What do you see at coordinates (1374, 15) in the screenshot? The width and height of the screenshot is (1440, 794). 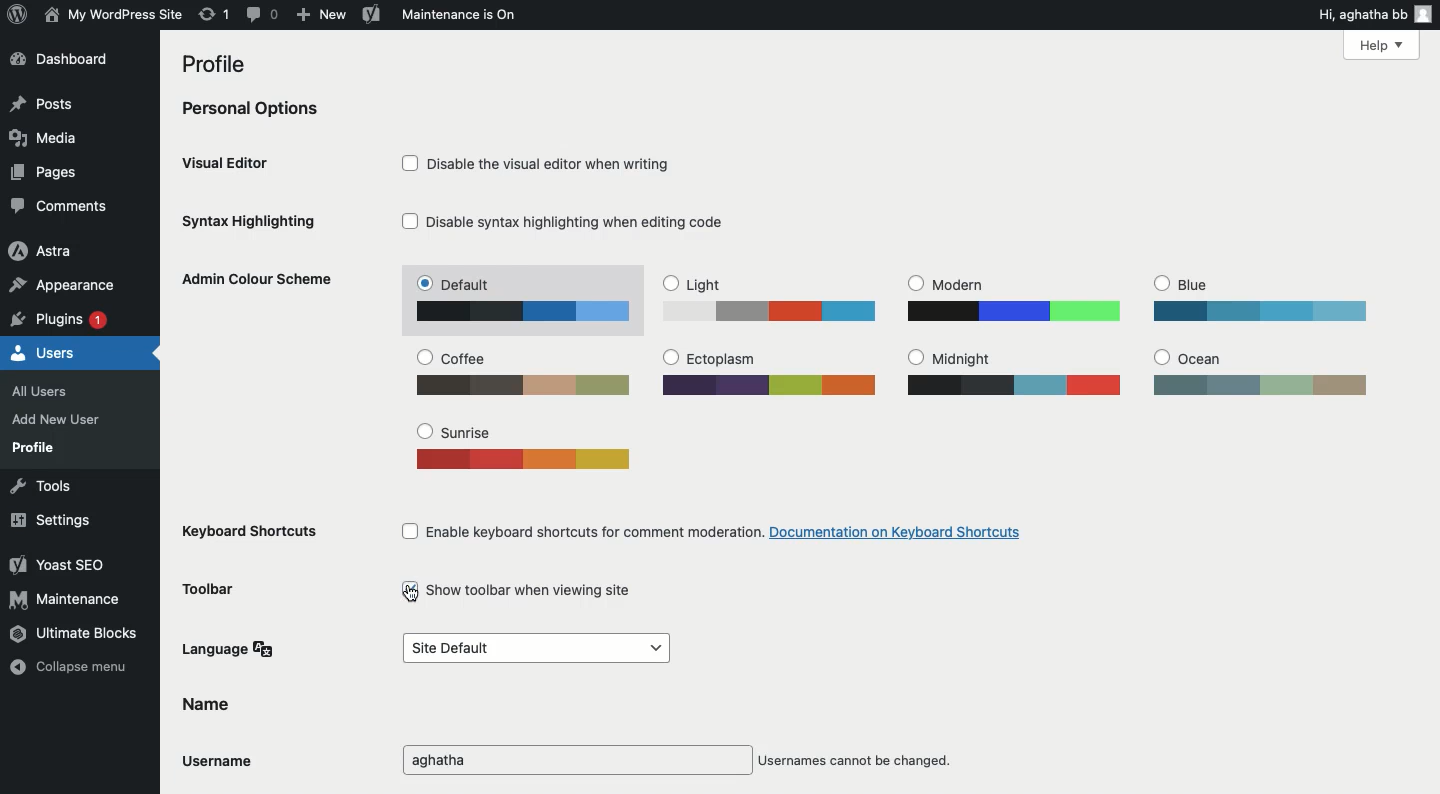 I see `Hi user` at bounding box center [1374, 15].